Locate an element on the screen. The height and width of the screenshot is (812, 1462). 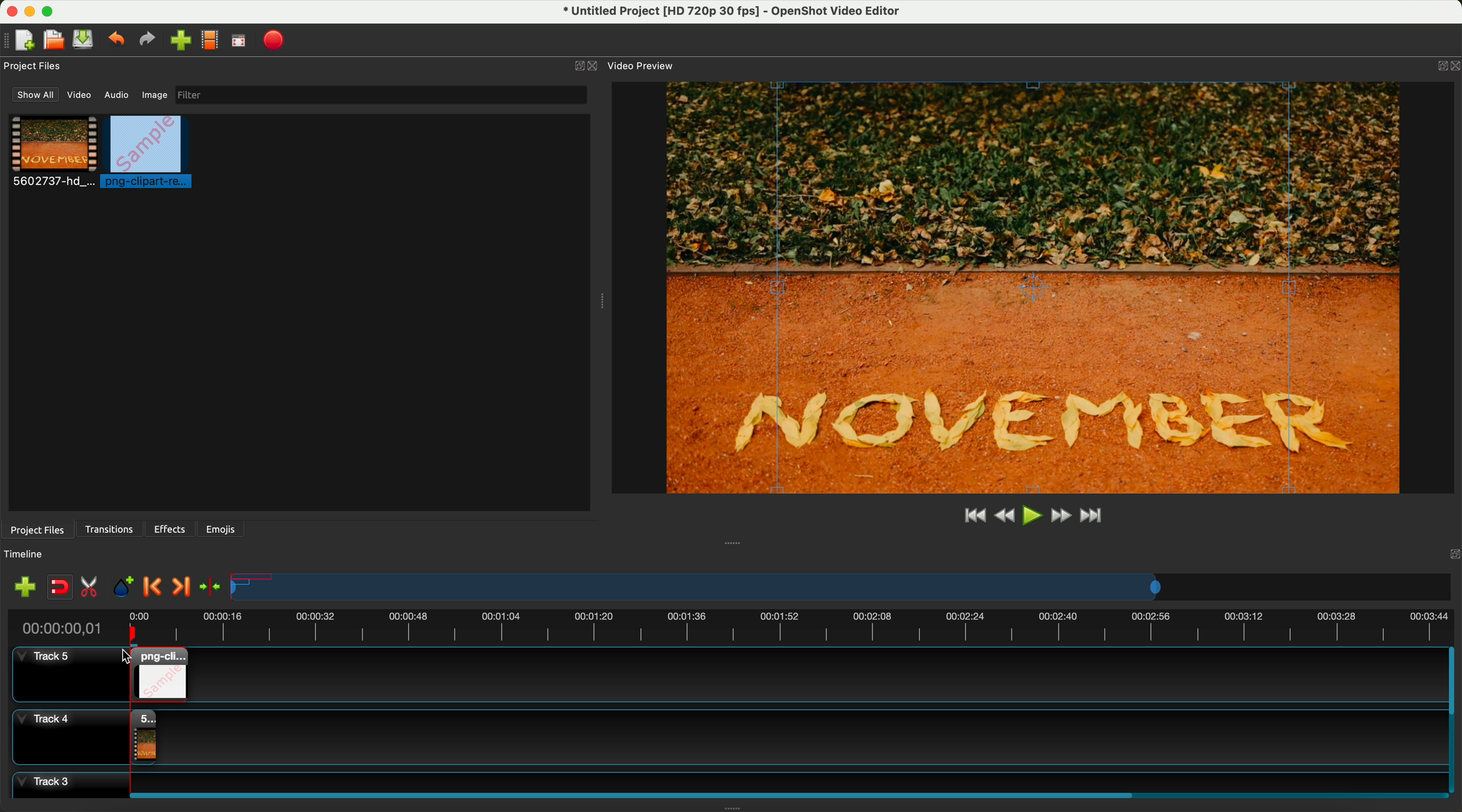
redo is located at coordinates (150, 41).